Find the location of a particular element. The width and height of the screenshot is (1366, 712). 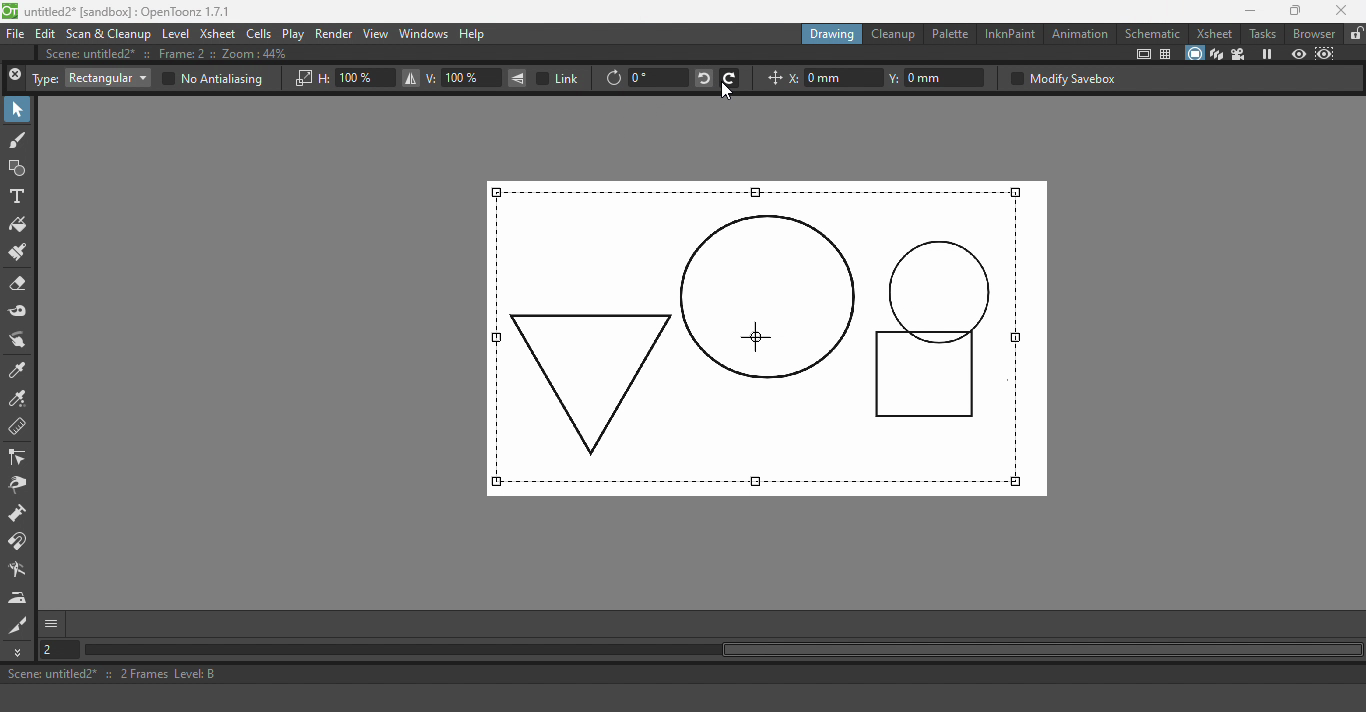

Help is located at coordinates (481, 33).